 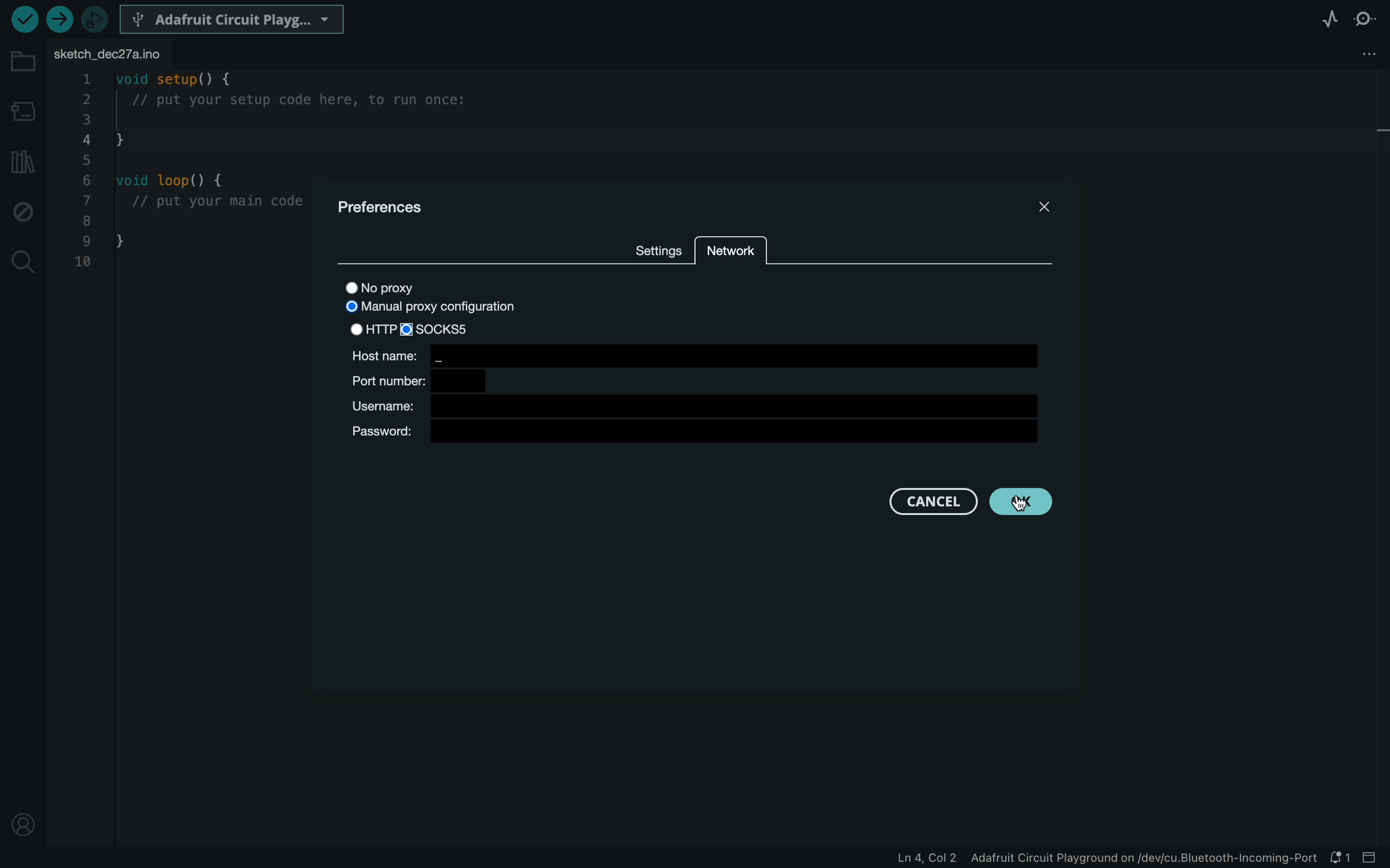 I want to click on cursor, so click(x=1029, y=506).